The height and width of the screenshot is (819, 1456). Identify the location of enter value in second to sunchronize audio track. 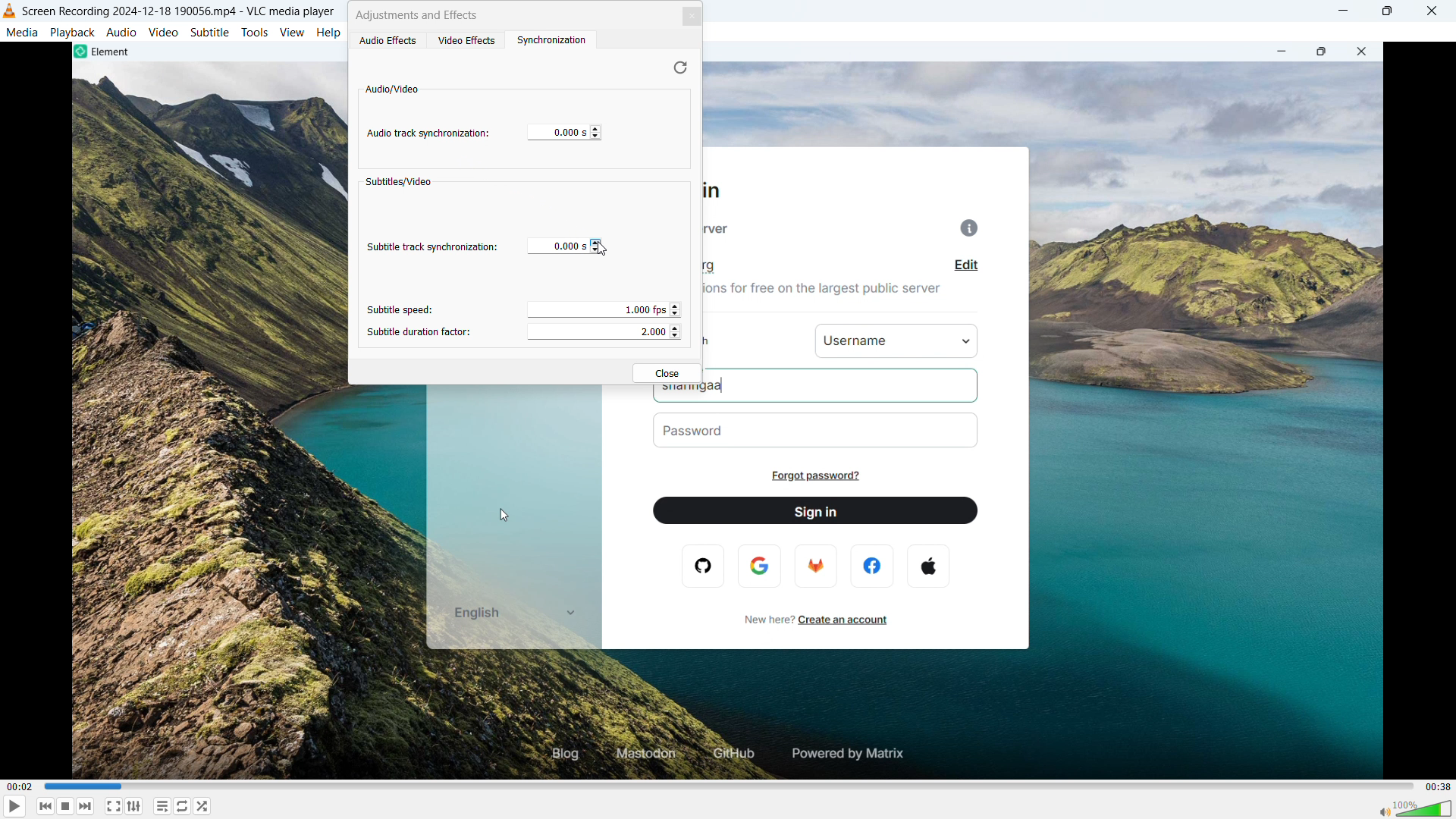
(558, 132).